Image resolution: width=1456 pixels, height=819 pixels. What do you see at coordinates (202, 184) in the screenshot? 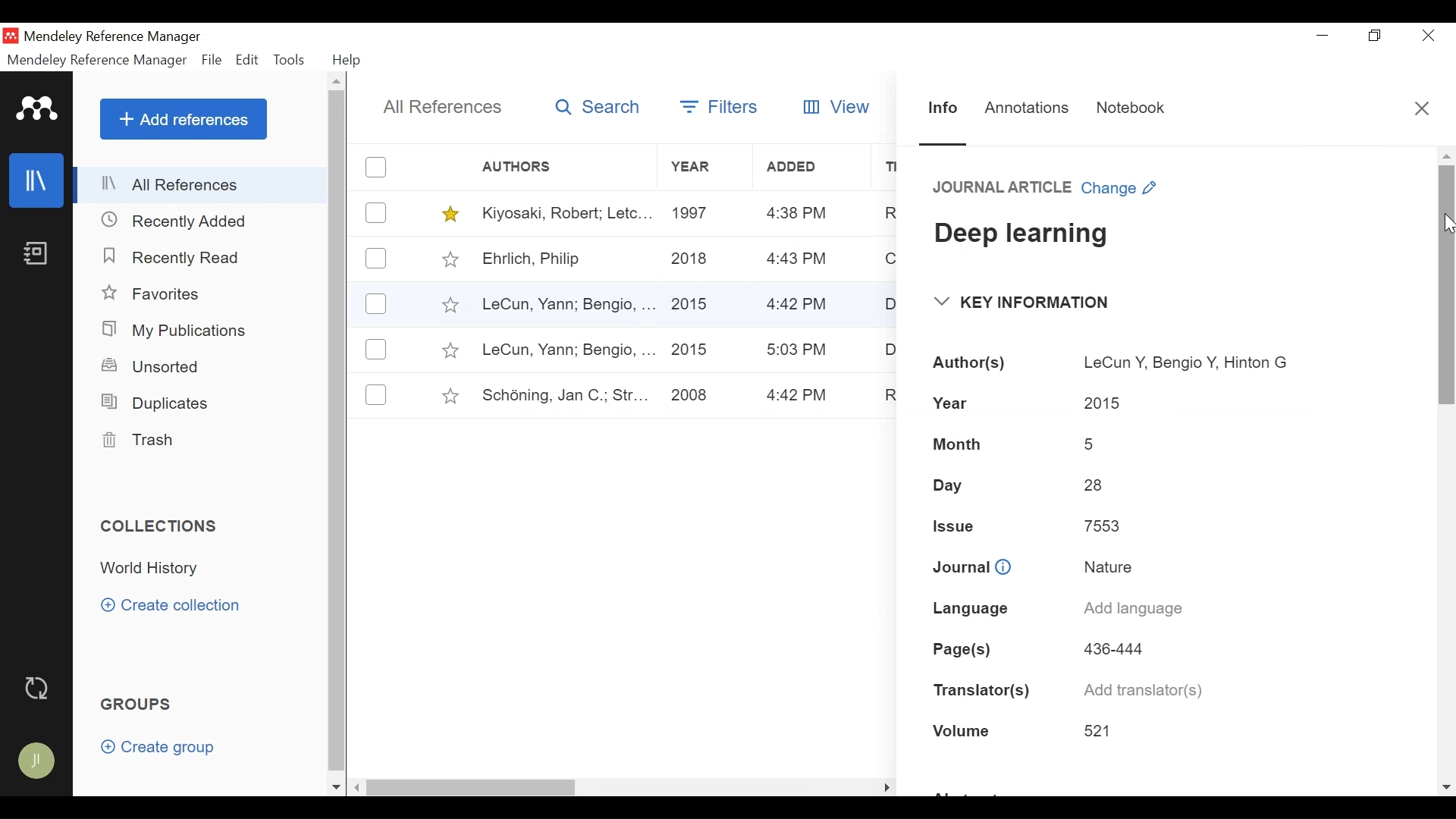
I see `All References` at bounding box center [202, 184].